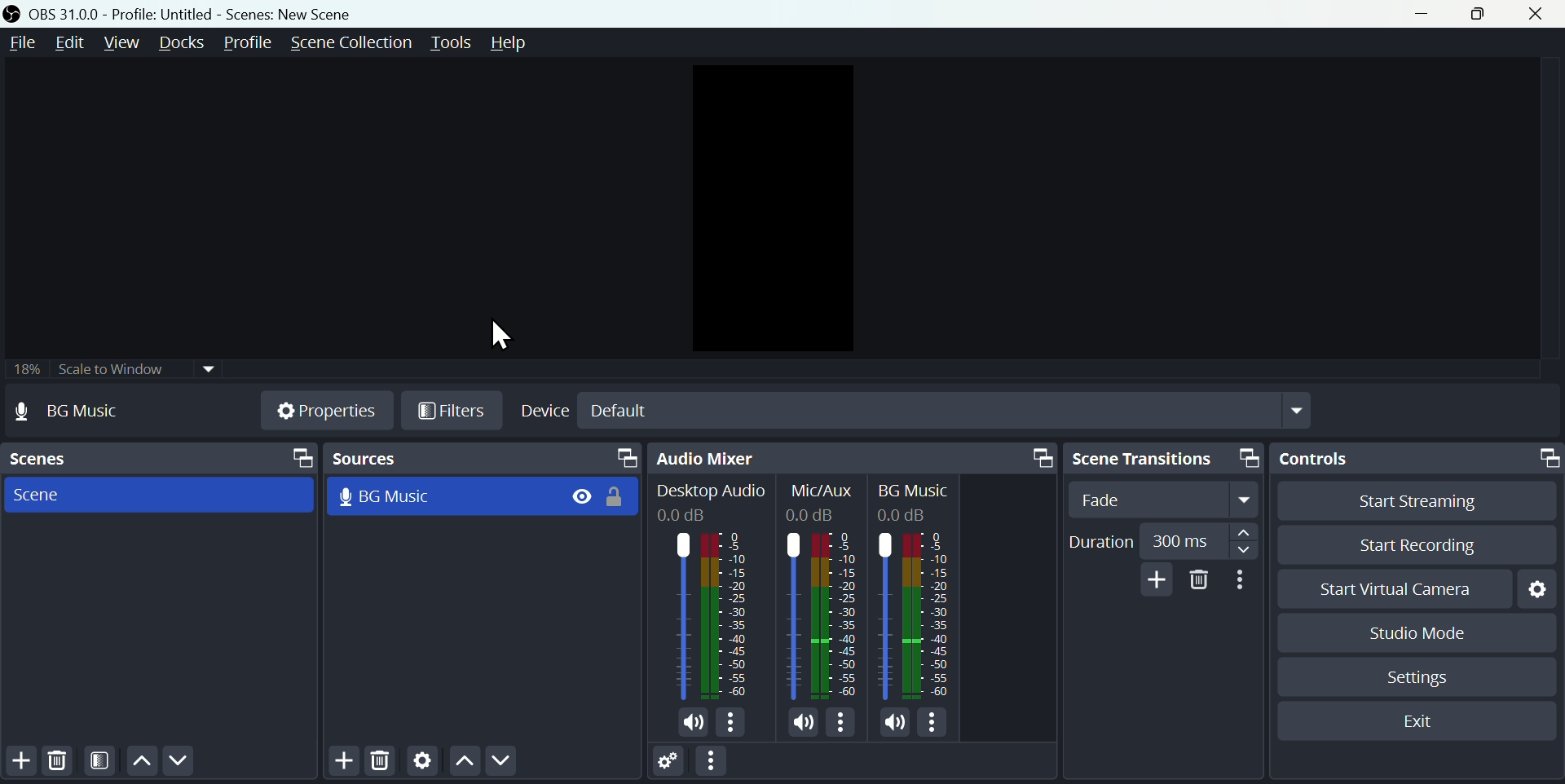 The height and width of the screenshot is (784, 1565). What do you see at coordinates (1162, 542) in the screenshot?
I see `duration` at bounding box center [1162, 542].